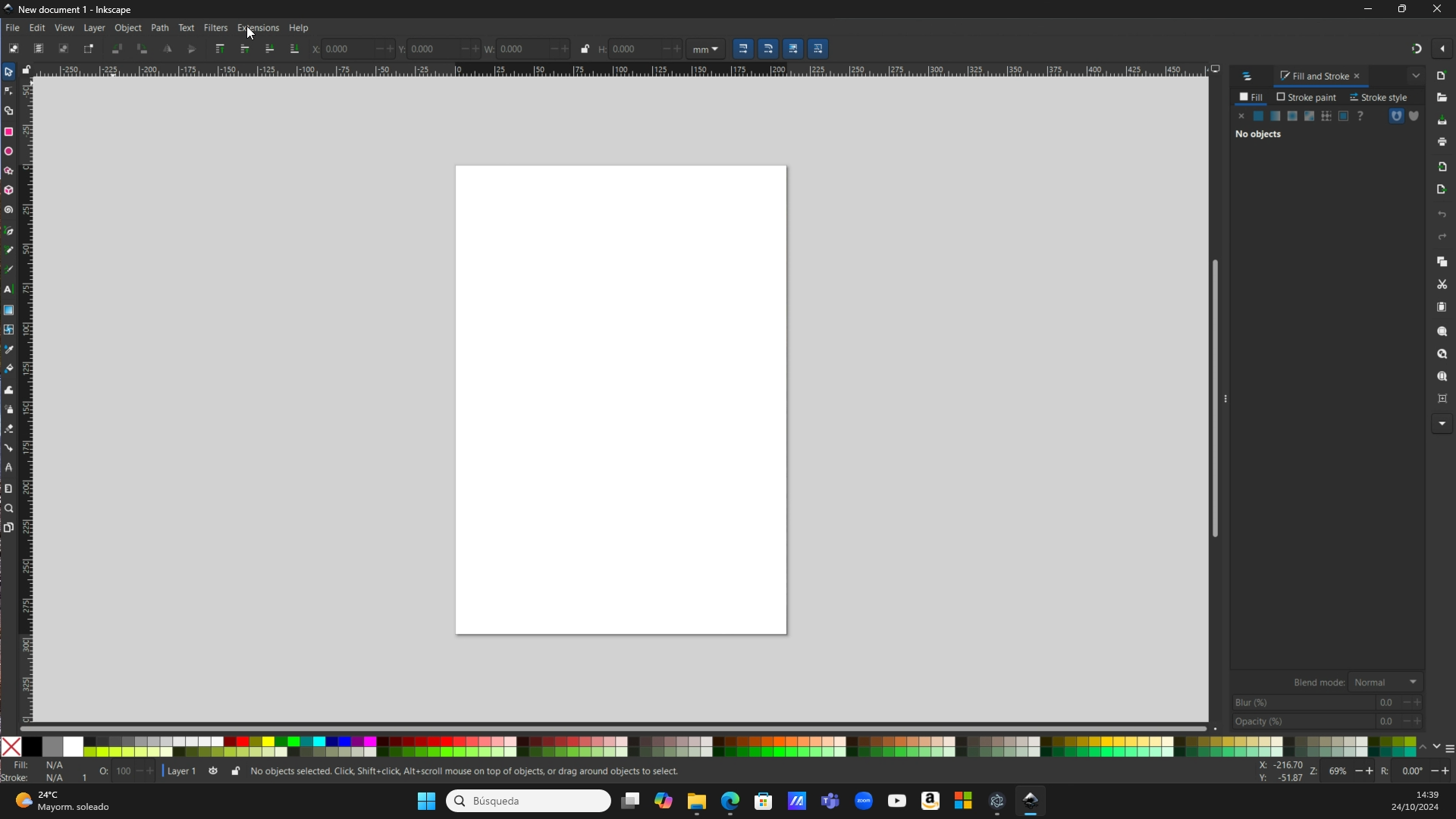  What do you see at coordinates (160, 29) in the screenshot?
I see `Path` at bounding box center [160, 29].